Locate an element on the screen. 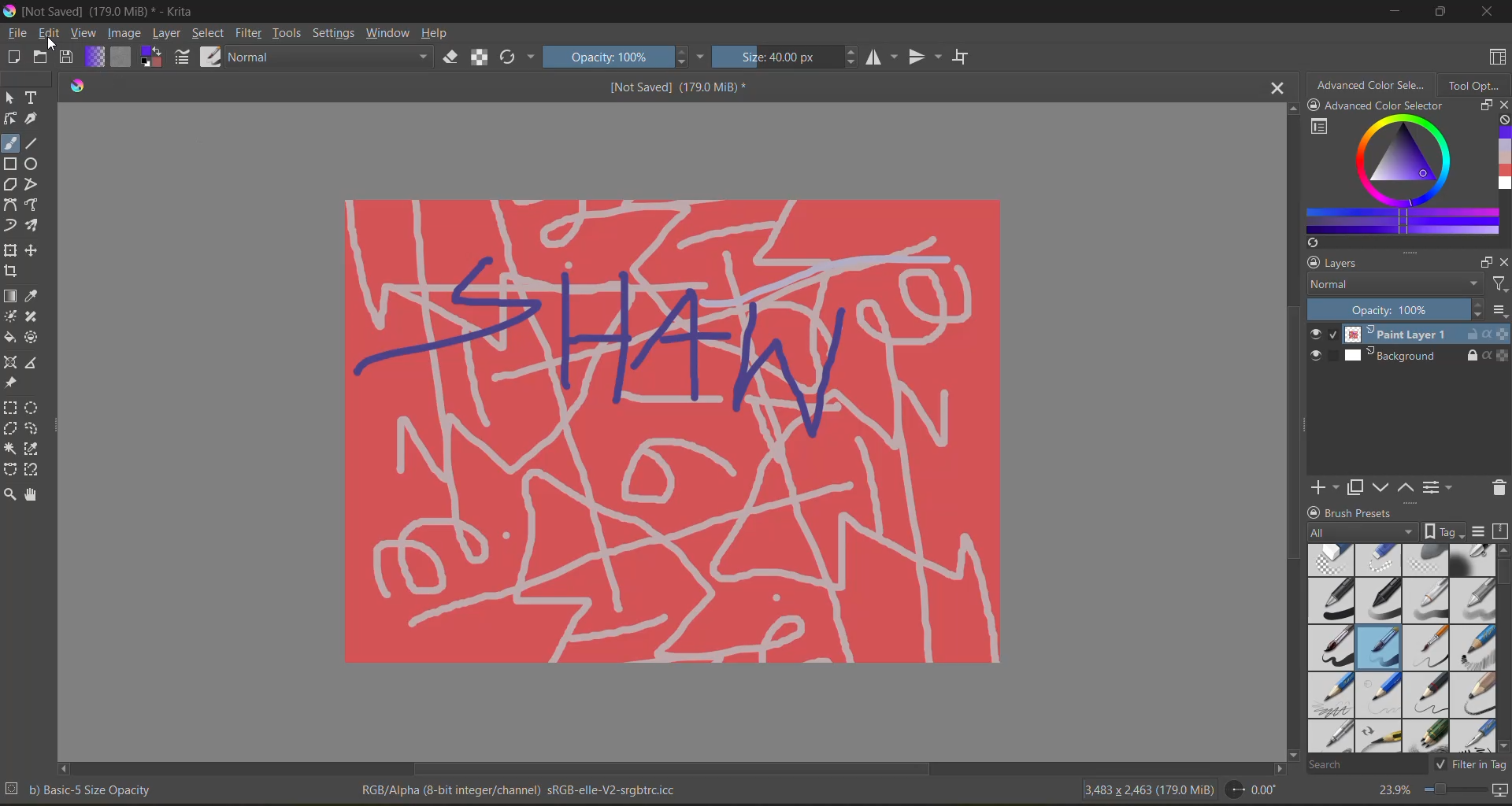  close docker is located at coordinates (1503, 263).